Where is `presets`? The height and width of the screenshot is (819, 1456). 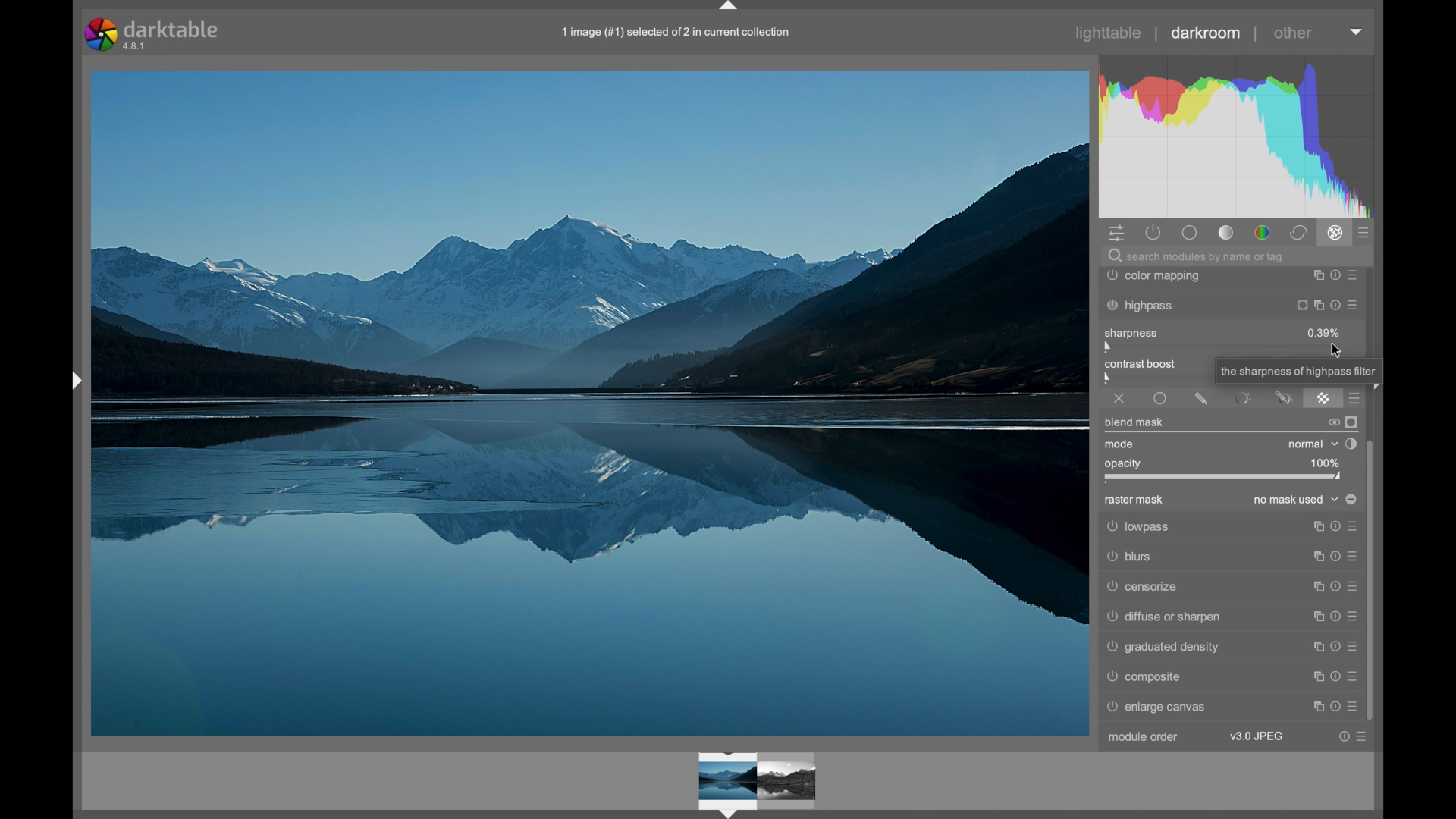 presets is located at coordinates (1356, 399).